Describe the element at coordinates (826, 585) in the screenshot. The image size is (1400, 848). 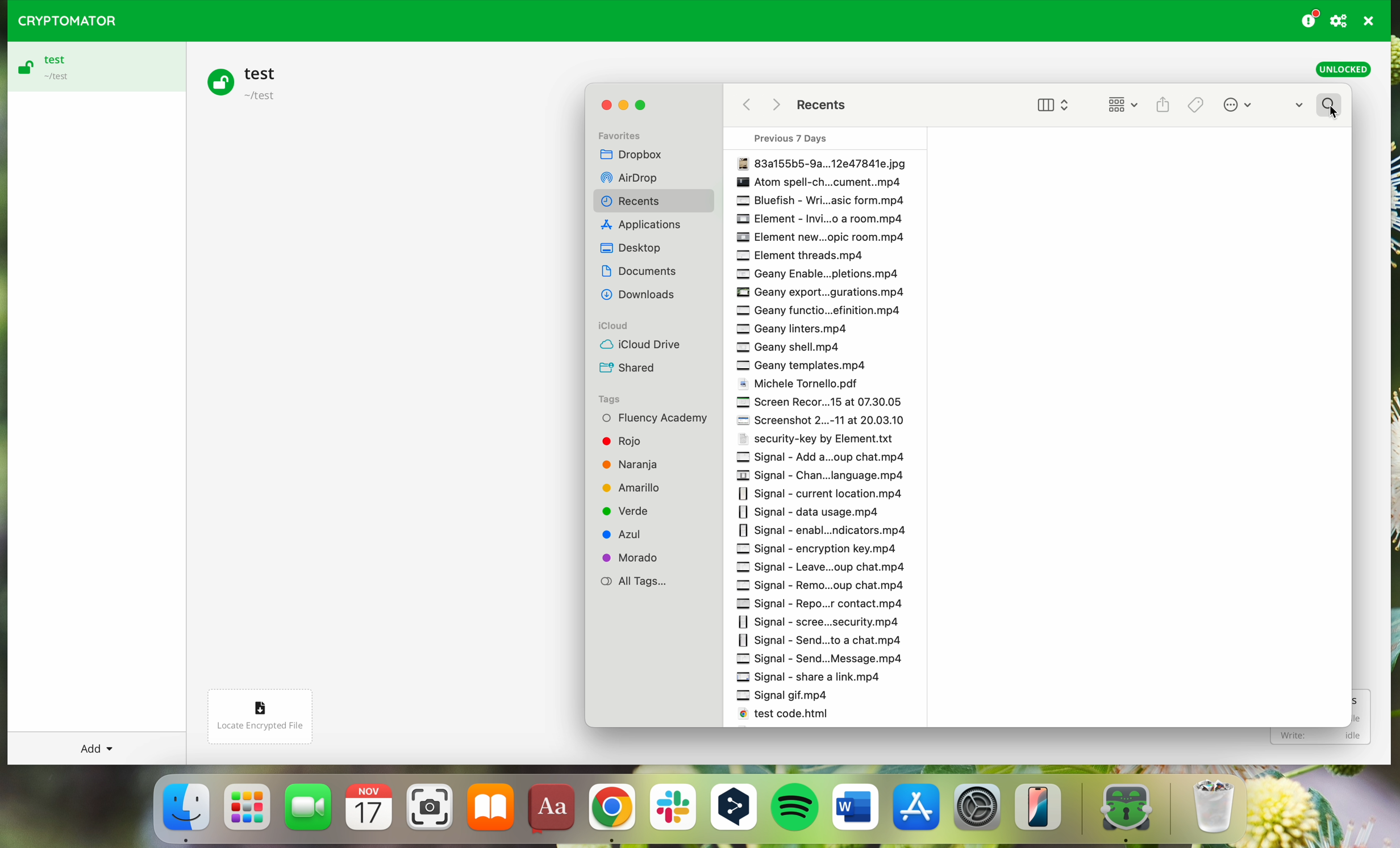
I see `Signal Remo` at that location.